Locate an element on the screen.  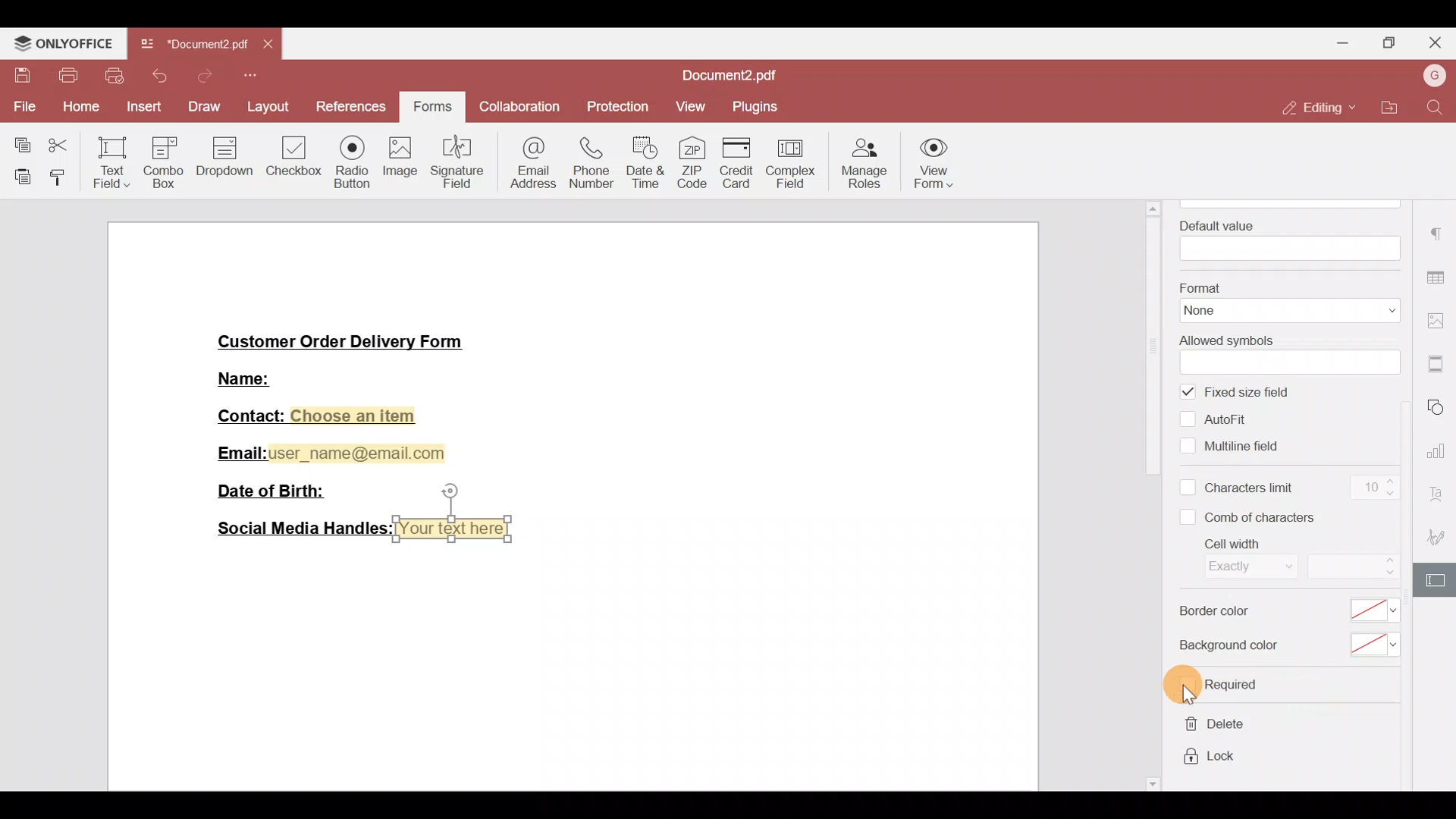
Maximize is located at coordinates (1395, 42).